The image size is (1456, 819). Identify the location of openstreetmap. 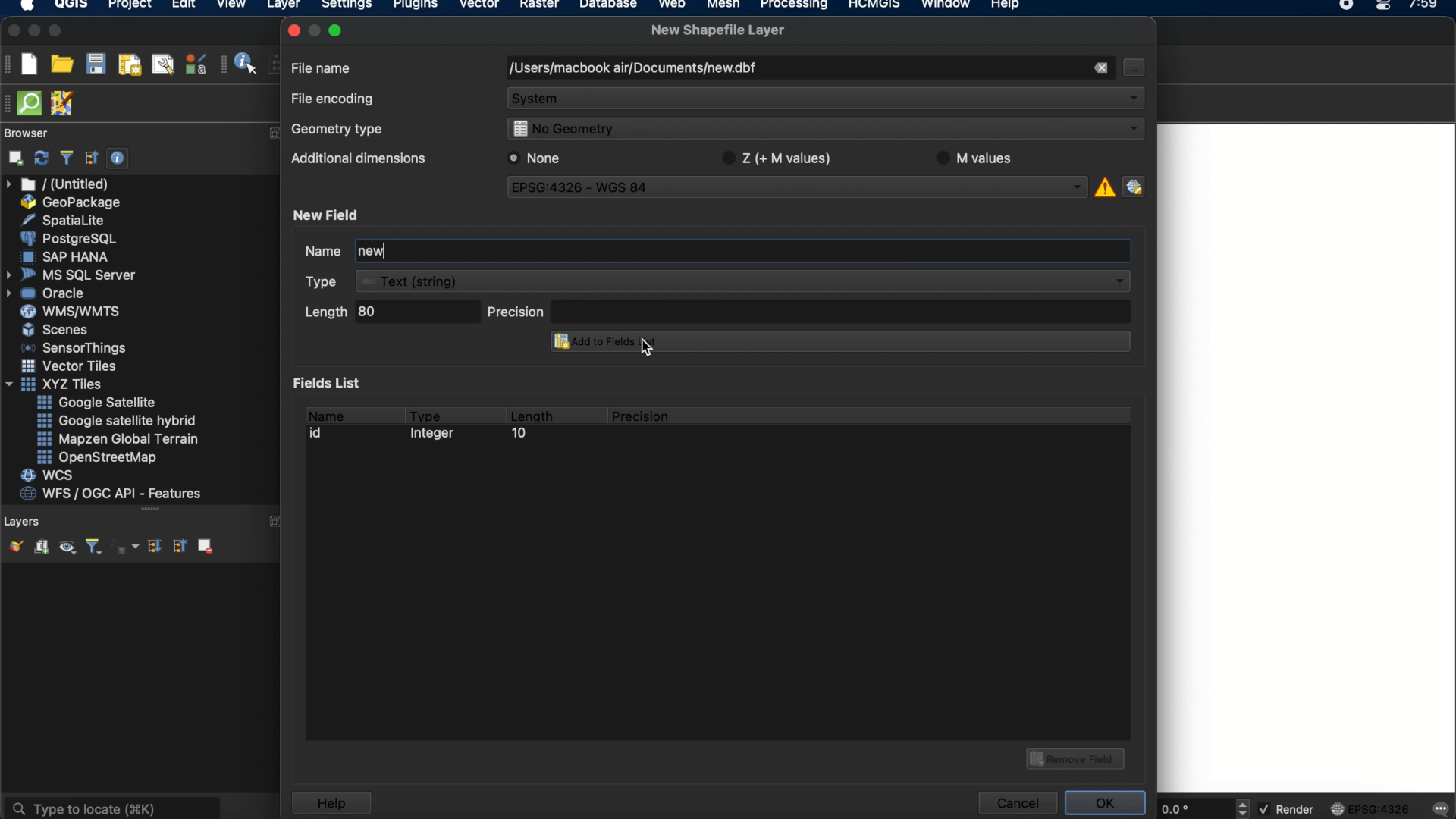
(97, 458).